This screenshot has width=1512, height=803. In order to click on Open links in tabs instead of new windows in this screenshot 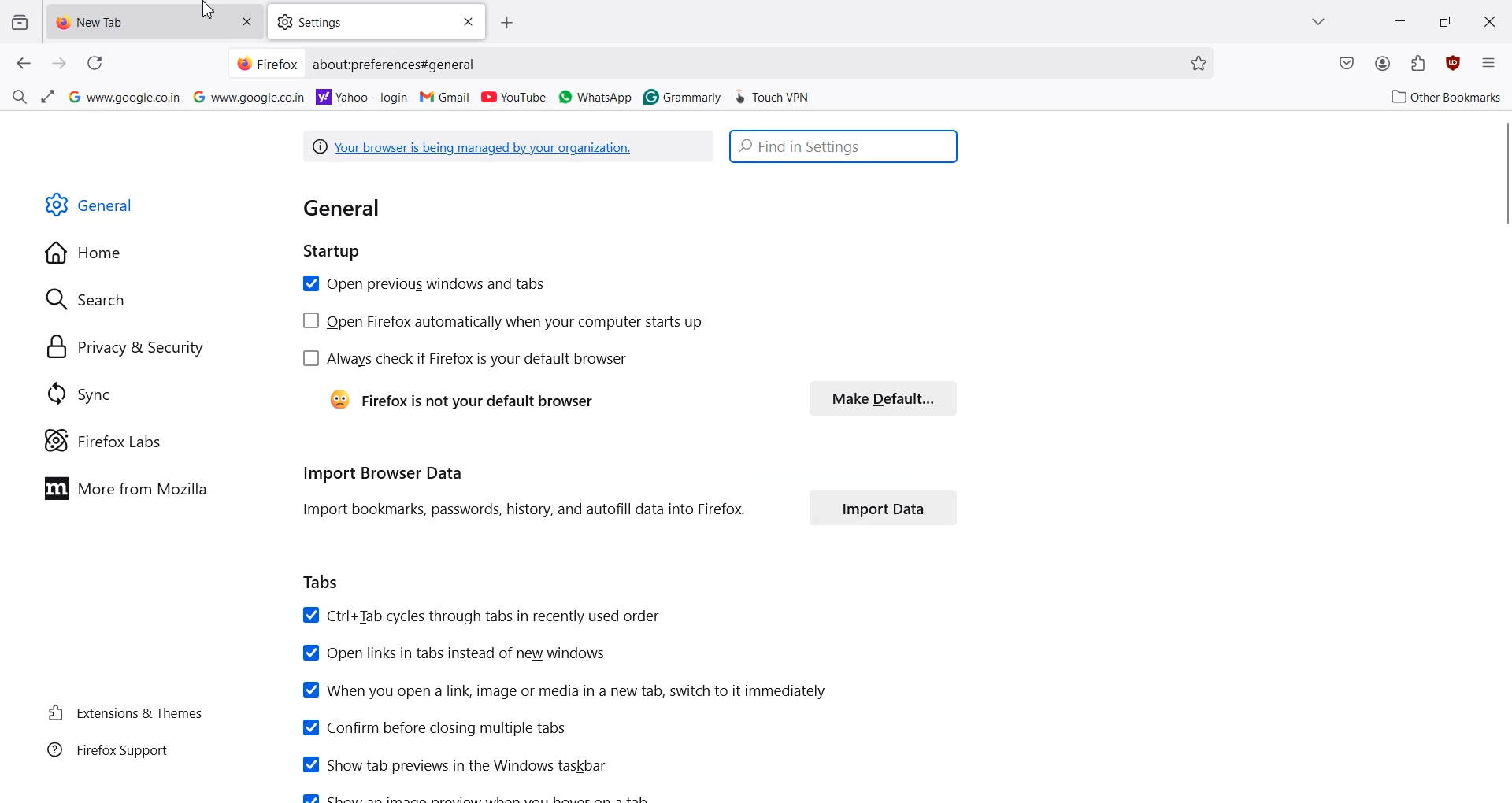, I will do `click(456, 653)`.